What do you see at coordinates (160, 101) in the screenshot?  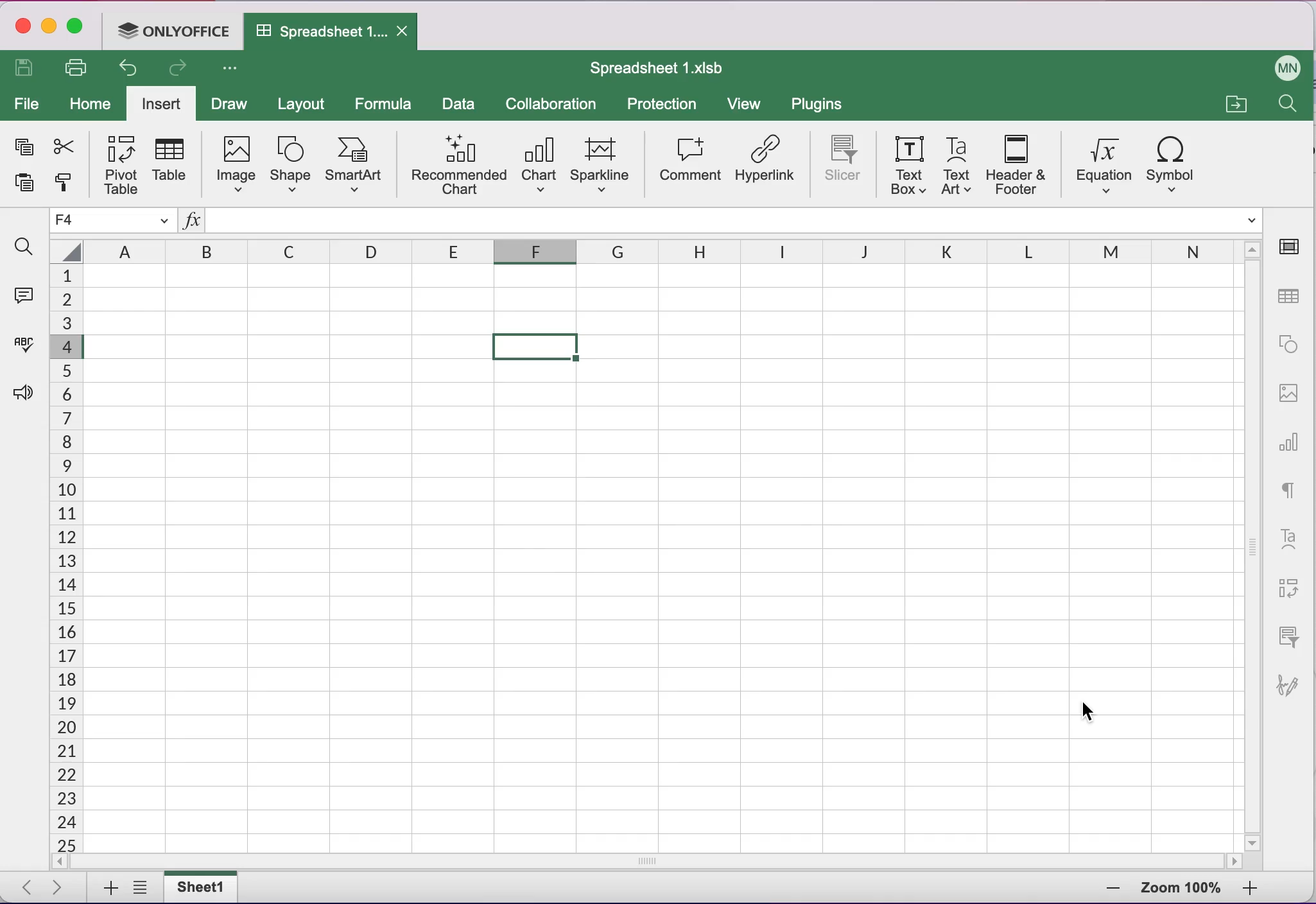 I see `insert` at bounding box center [160, 101].